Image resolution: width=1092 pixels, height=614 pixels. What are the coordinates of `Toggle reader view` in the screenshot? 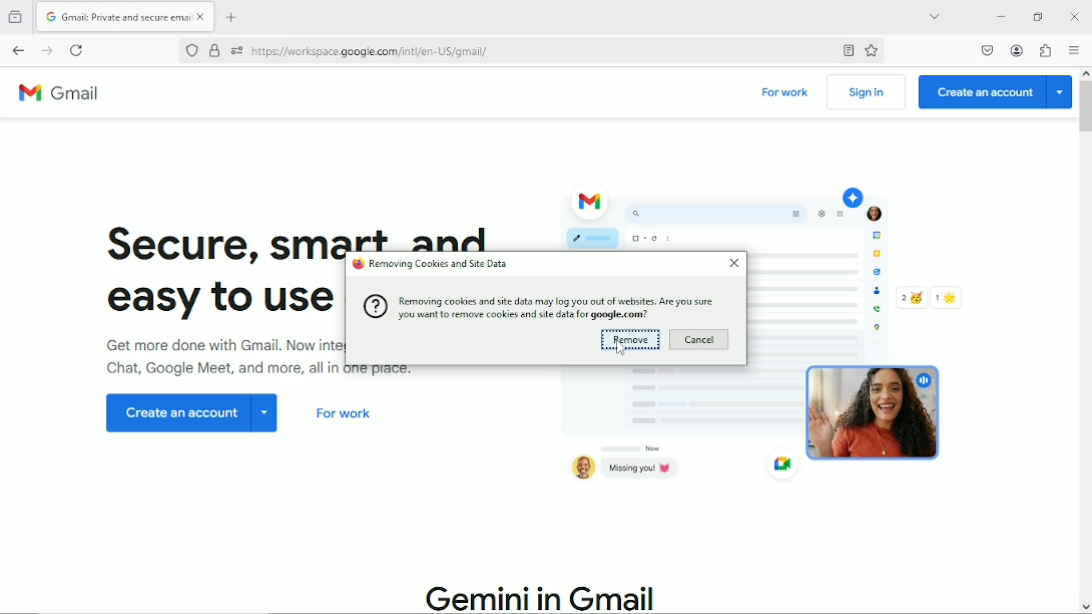 It's located at (846, 51).